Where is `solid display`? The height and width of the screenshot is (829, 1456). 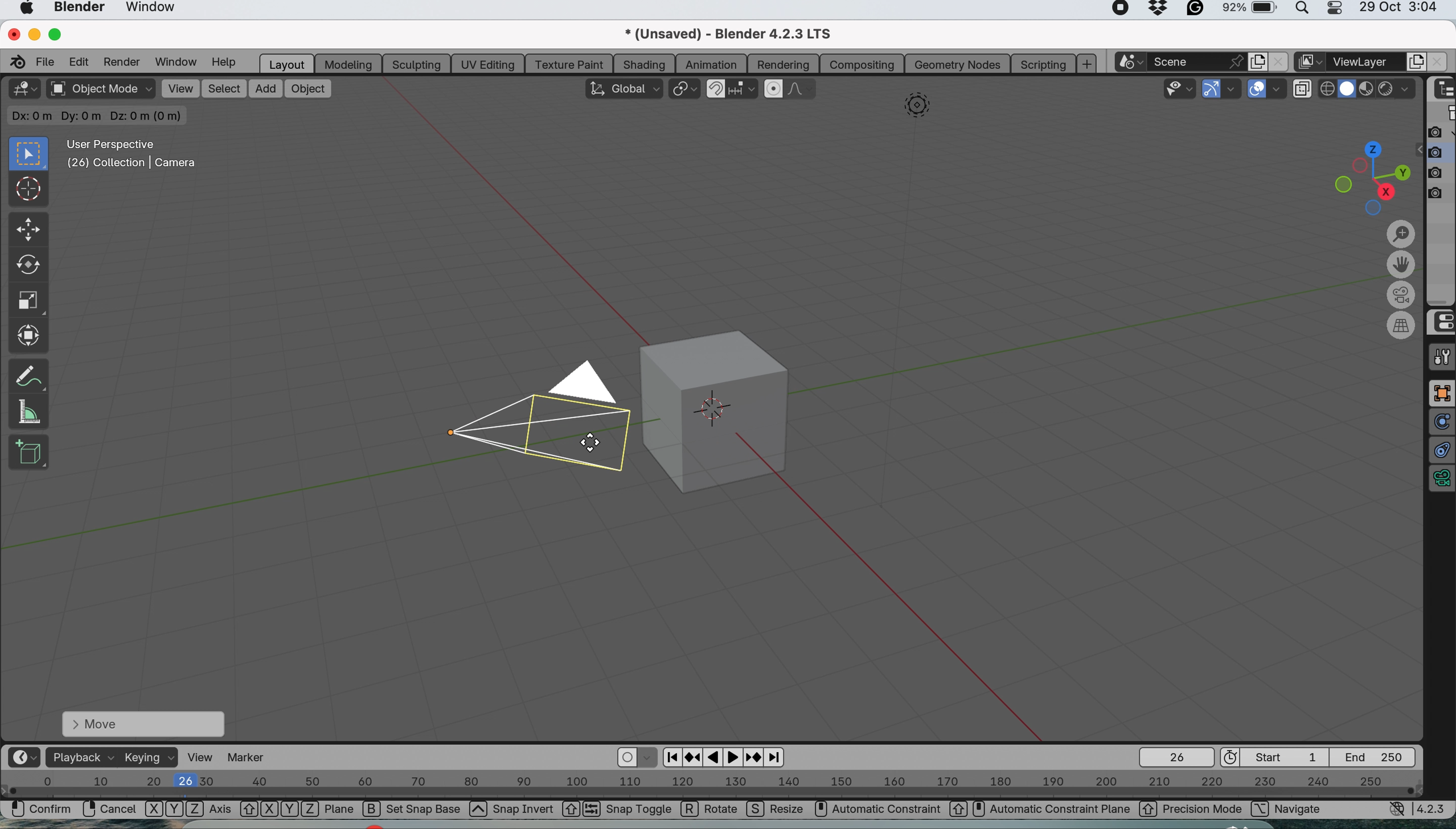 solid display is located at coordinates (1328, 85).